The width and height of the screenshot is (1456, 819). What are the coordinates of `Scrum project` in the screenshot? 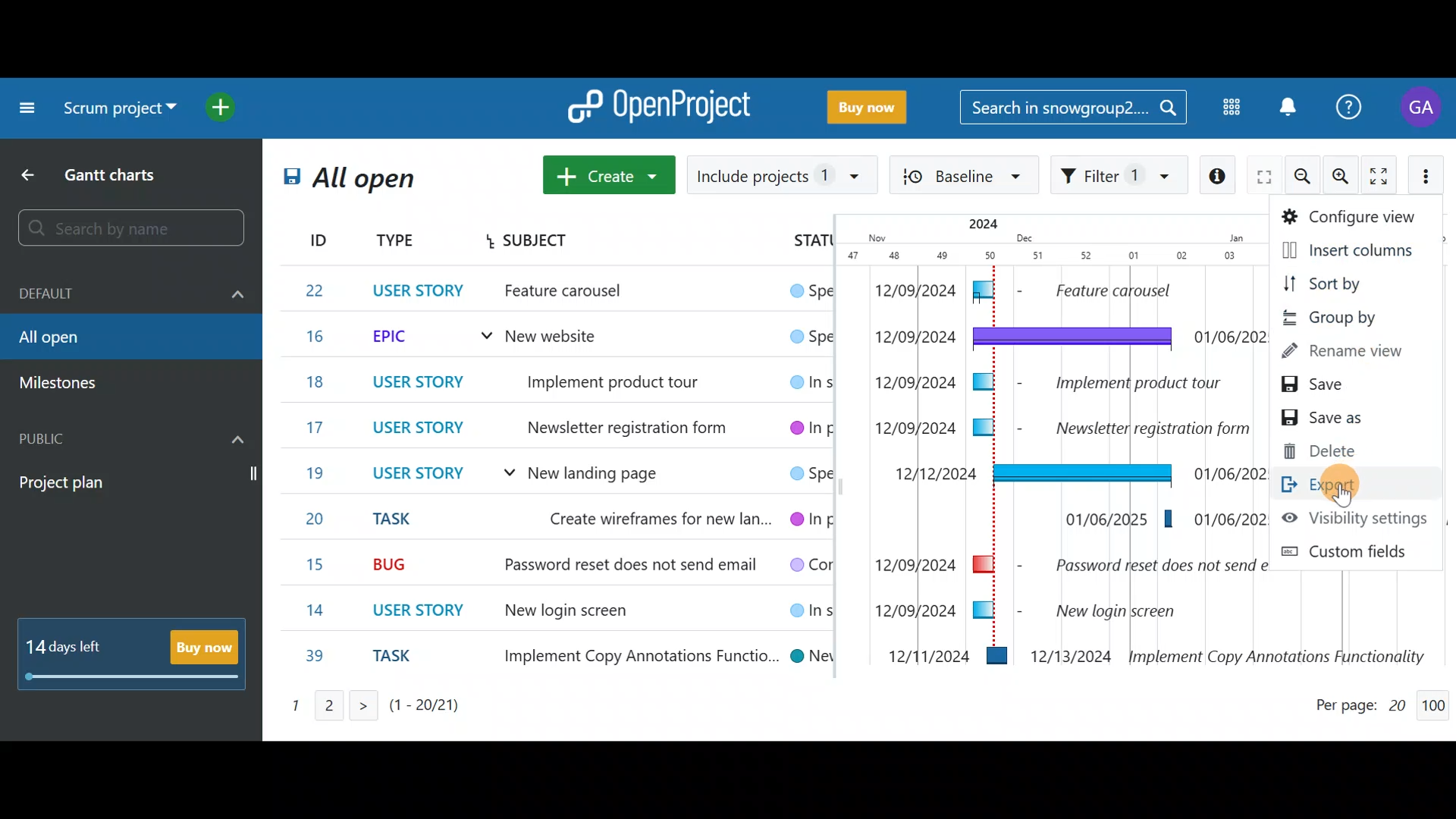 It's located at (118, 108).